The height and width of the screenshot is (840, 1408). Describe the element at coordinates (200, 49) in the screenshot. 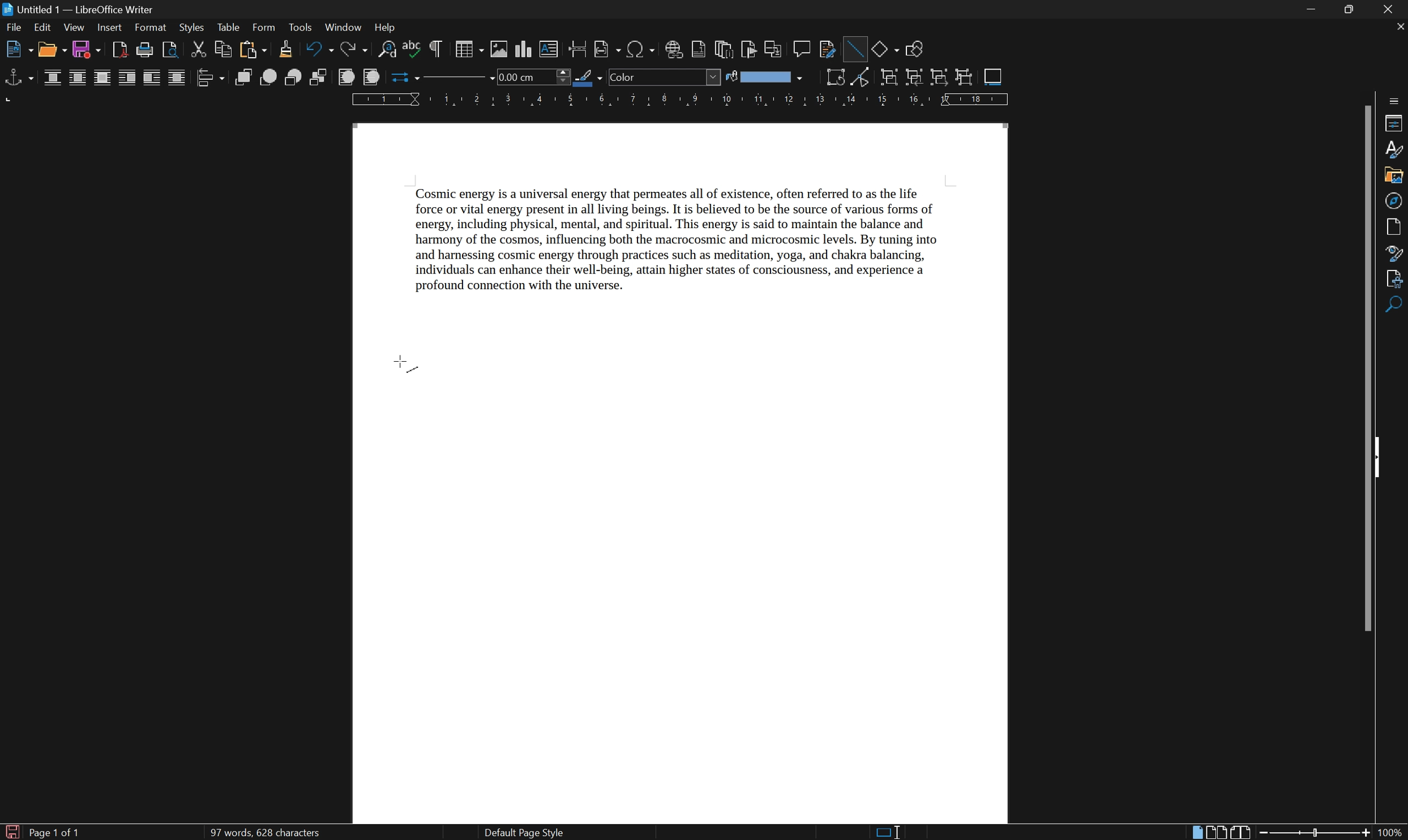

I see `cut` at that location.